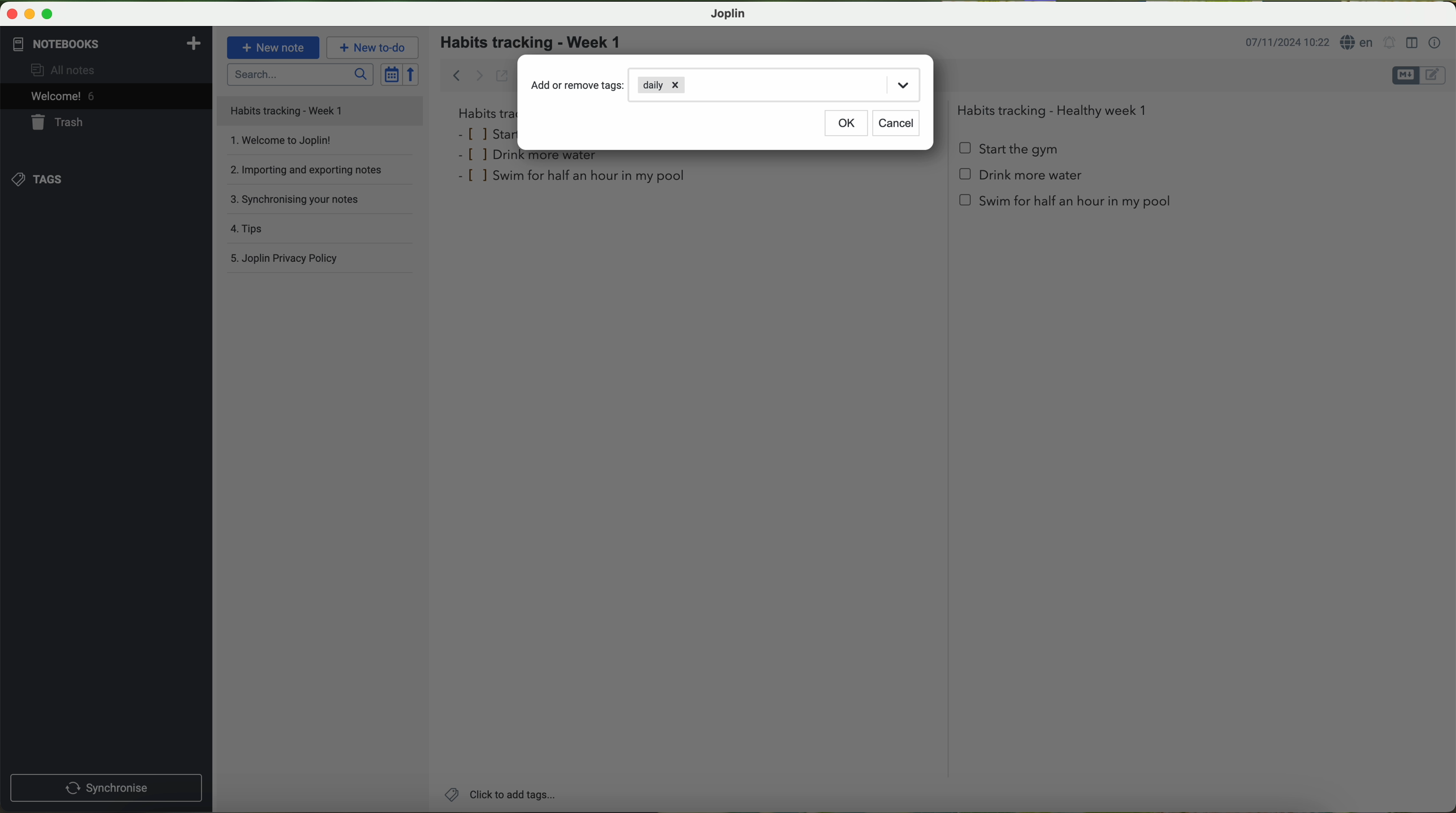 Image resolution: width=1456 pixels, height=813 pixels. What do you see at coordinates (63, 96) in the screenshot?
I see `welcome 5` at bounding box center [63, 96].